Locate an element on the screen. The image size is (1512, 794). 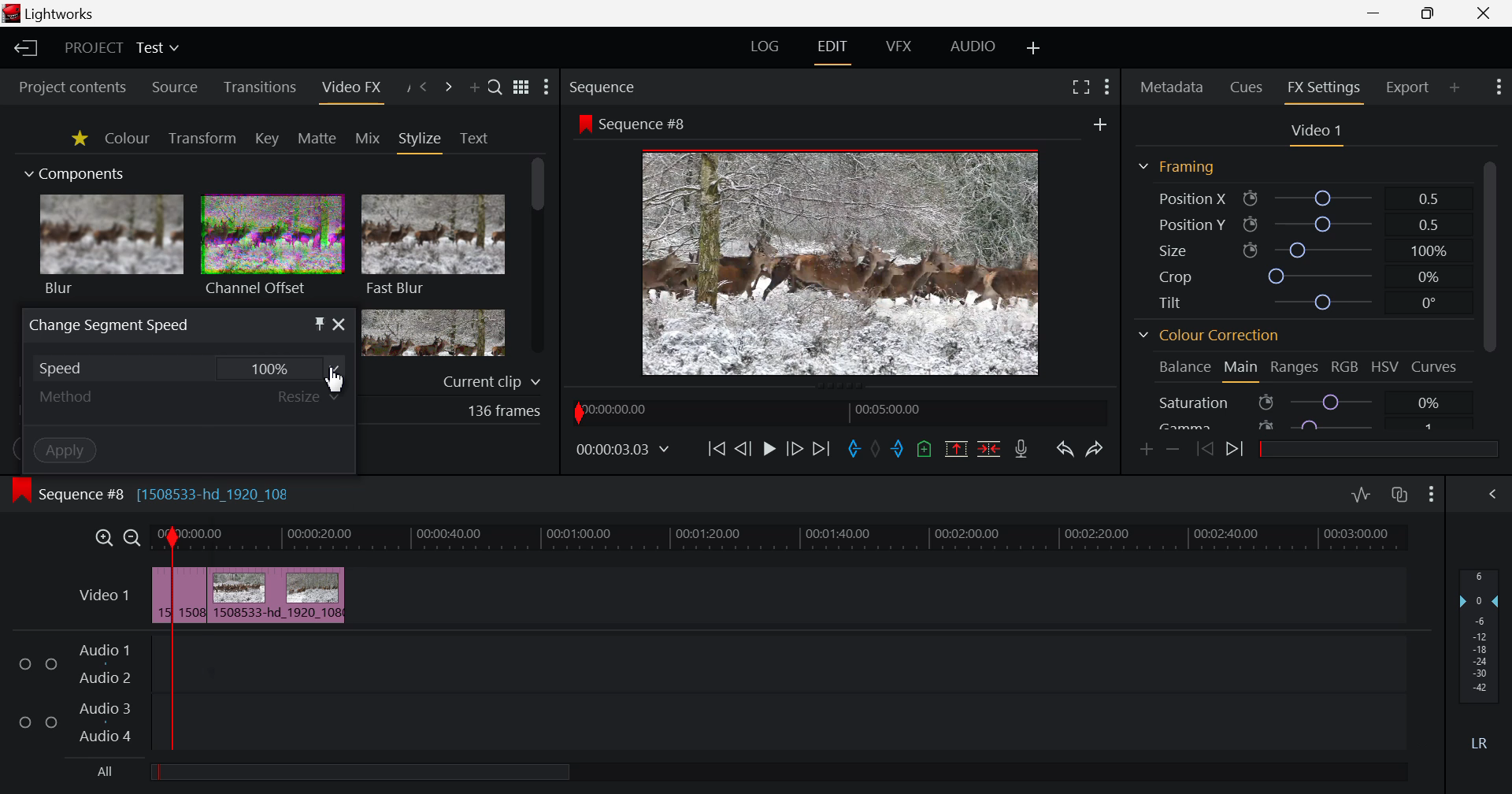
Toggle between list and title view is located at coordinates (521, 87).